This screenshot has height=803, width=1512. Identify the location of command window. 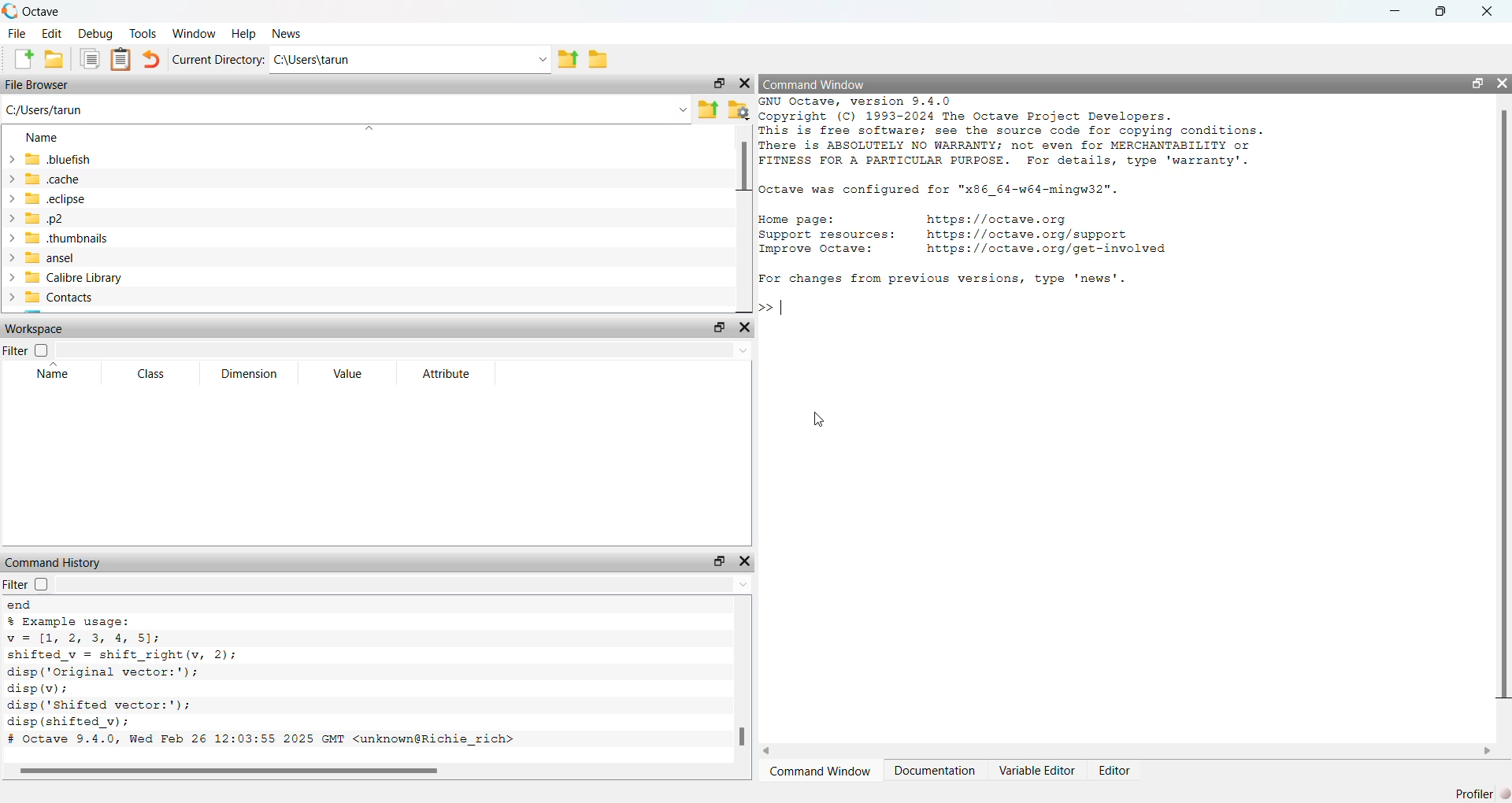
(824, 772).